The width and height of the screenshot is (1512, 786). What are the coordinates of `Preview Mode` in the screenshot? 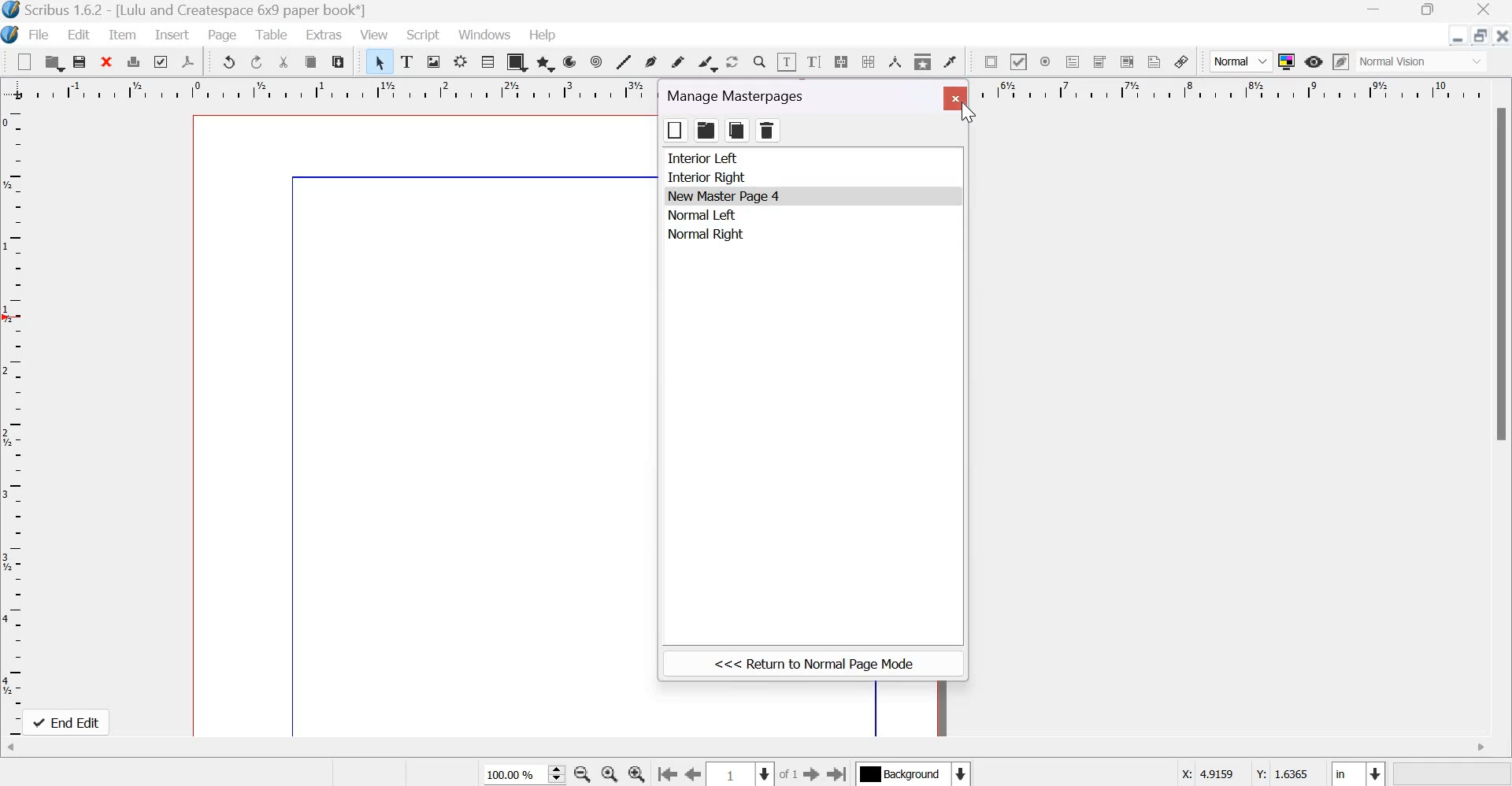 It's located at (1314, 61).